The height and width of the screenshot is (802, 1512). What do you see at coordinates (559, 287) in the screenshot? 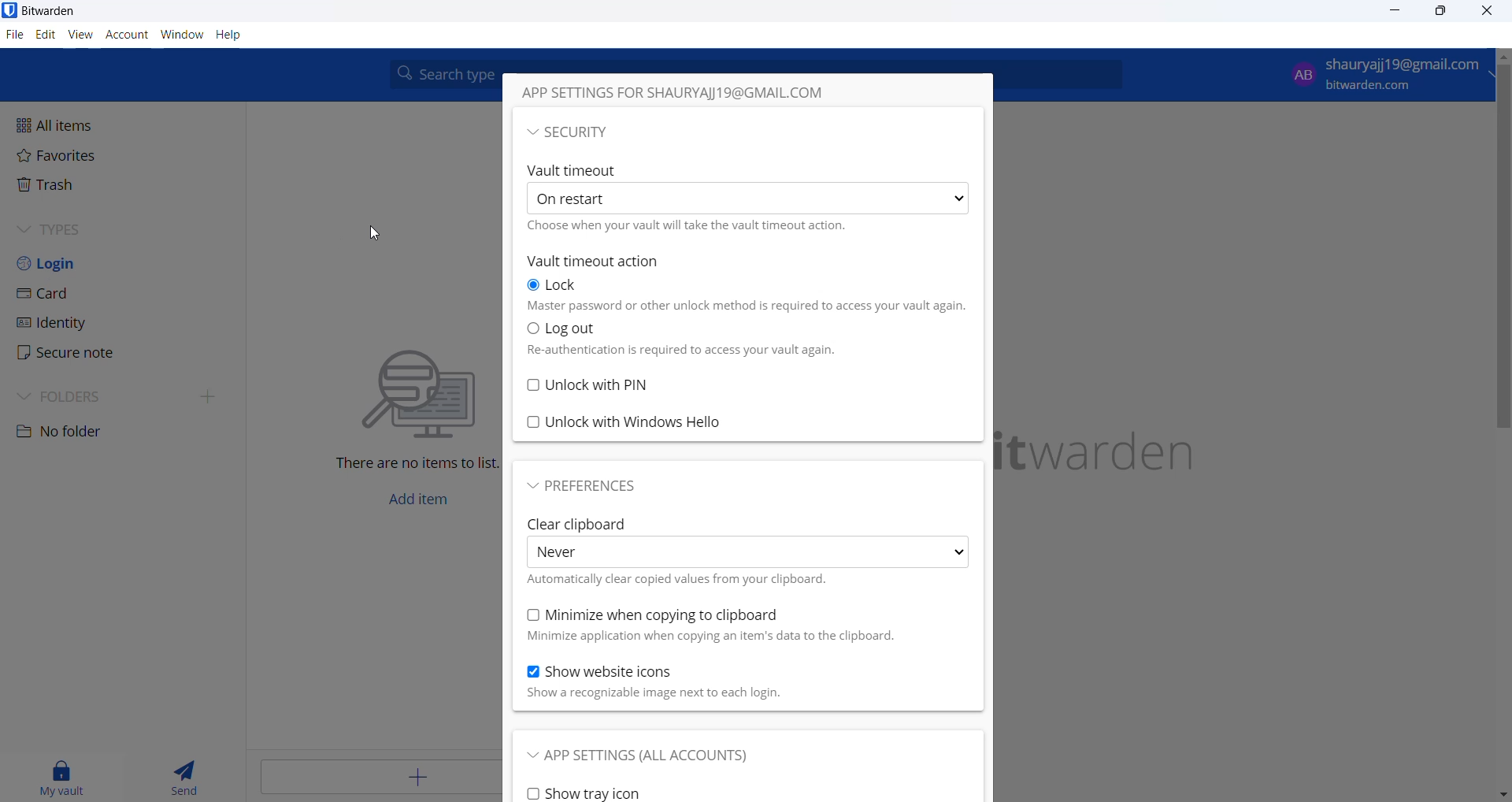
I see `lock` at bounding box center [559, 287].